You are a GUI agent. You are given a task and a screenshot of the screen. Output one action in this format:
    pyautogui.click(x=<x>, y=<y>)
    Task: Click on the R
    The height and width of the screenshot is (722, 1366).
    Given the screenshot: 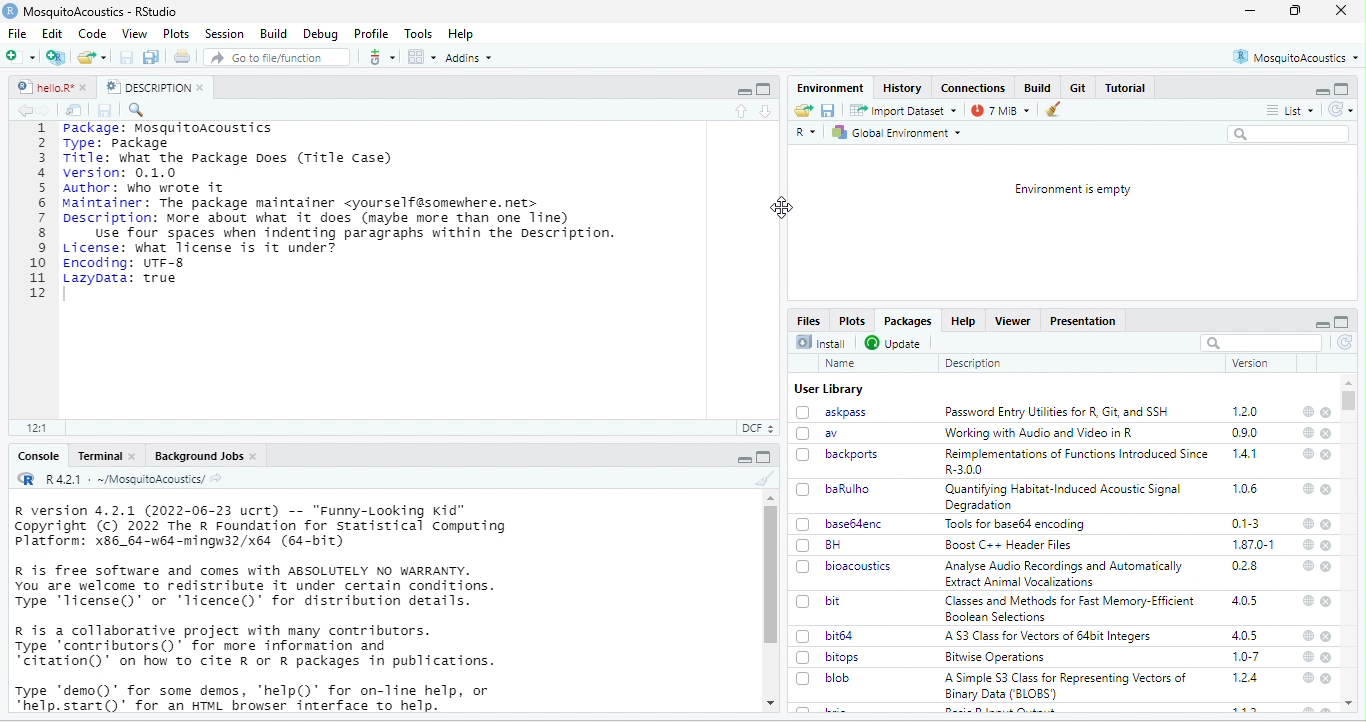 What is the action you would take?
    pyautogui.click(x=806, y=134)
    